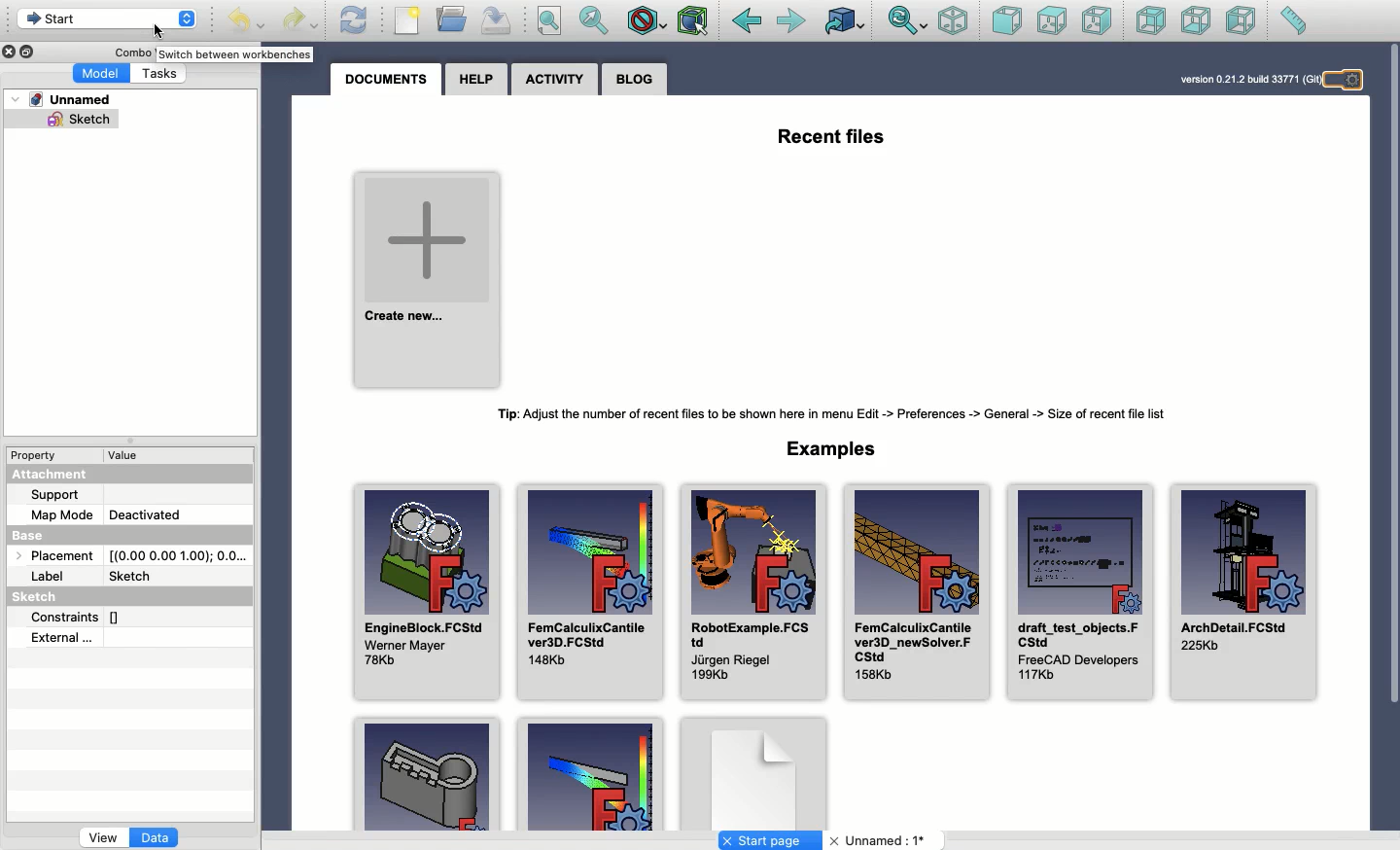 This screenshot has width=1400, height=850. What do you see at coordinates (747, 21) in the screenshot?
I see `Back` at bounding box center [747, 21].